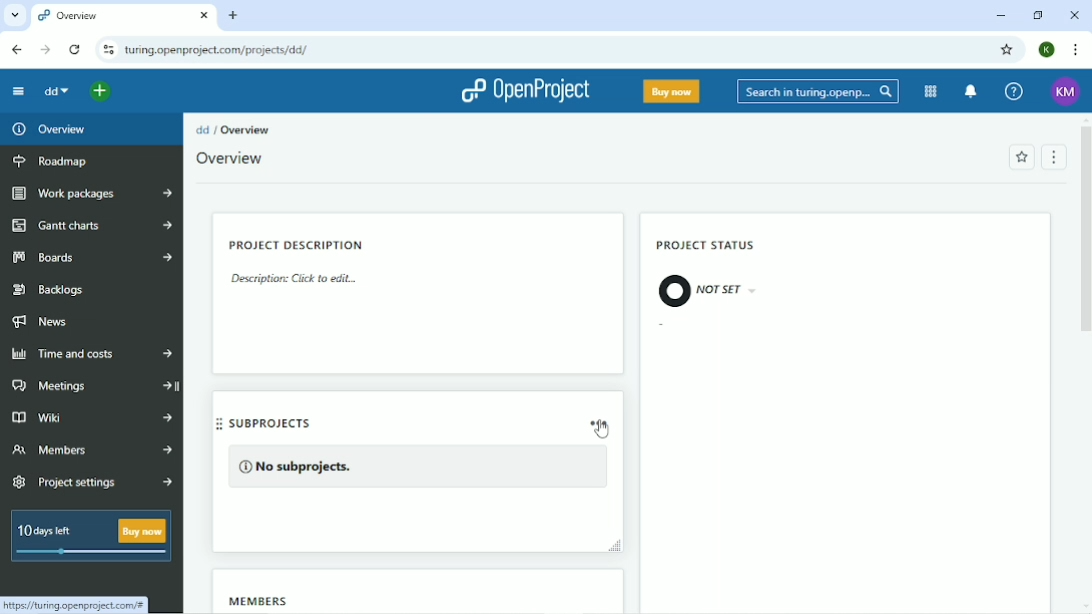  What do you see at coordinates (1047, 48) in the screenshot?
I see `Account` at bounding box center [1047, 48].